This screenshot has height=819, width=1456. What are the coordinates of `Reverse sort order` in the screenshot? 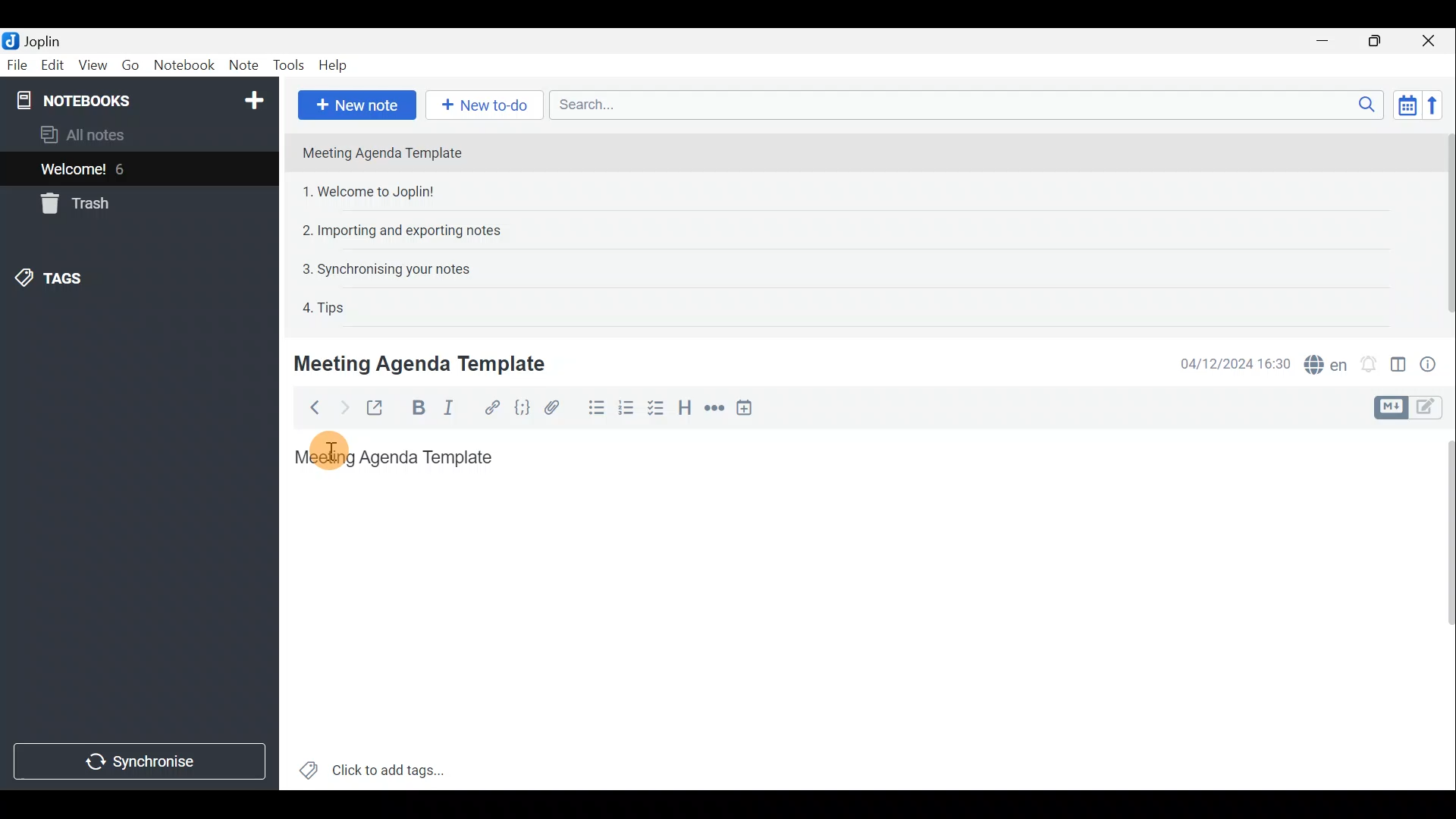 It's located at (1435, 105).